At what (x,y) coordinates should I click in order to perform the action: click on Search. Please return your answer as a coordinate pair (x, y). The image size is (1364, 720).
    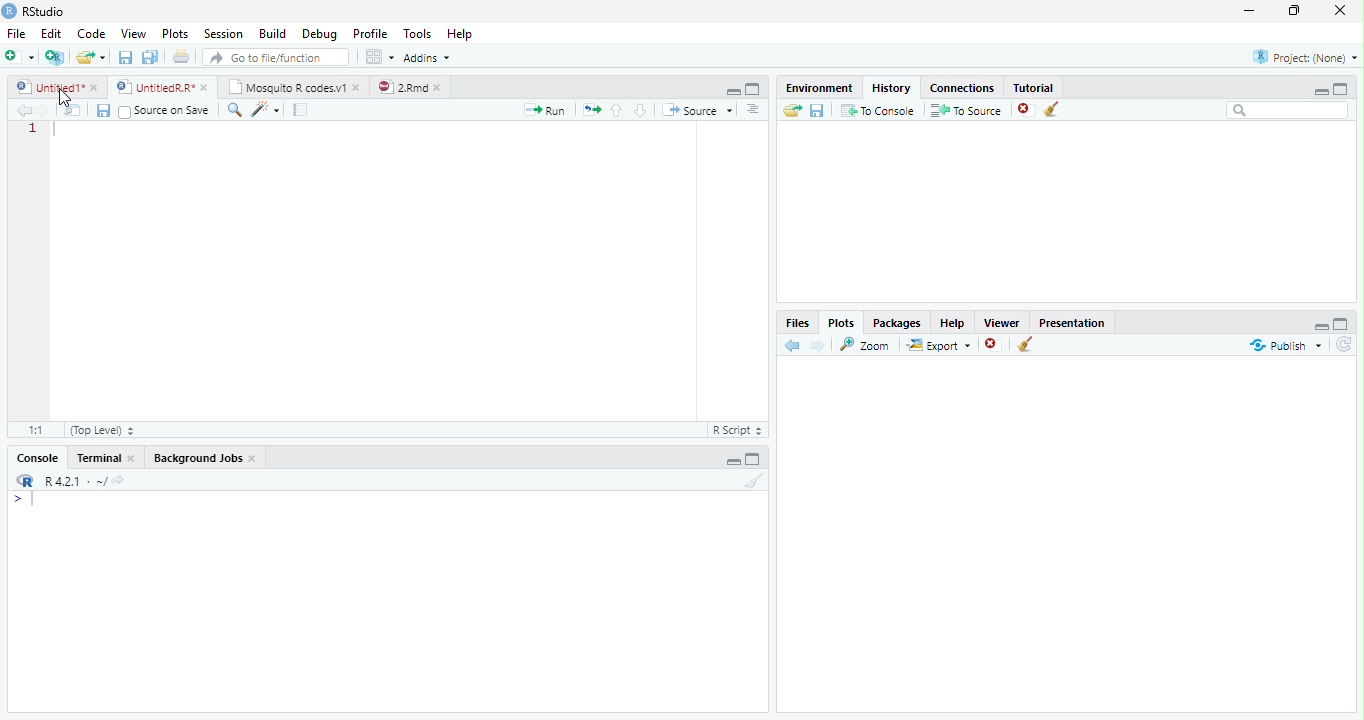
    Looking at the image, I should click on (1288, 110).